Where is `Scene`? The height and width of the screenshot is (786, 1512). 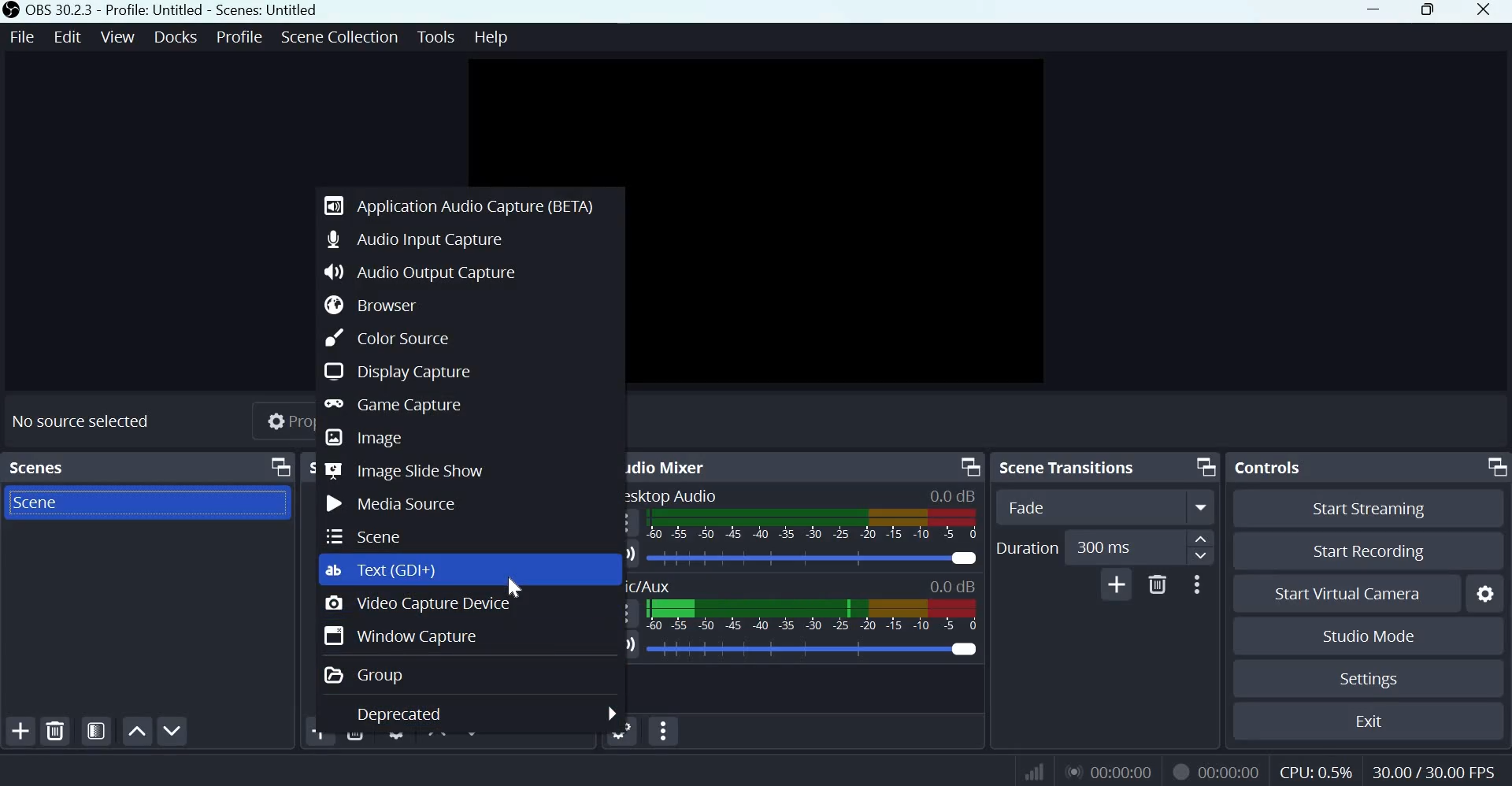 Scene is located at coordinates (51, 502).